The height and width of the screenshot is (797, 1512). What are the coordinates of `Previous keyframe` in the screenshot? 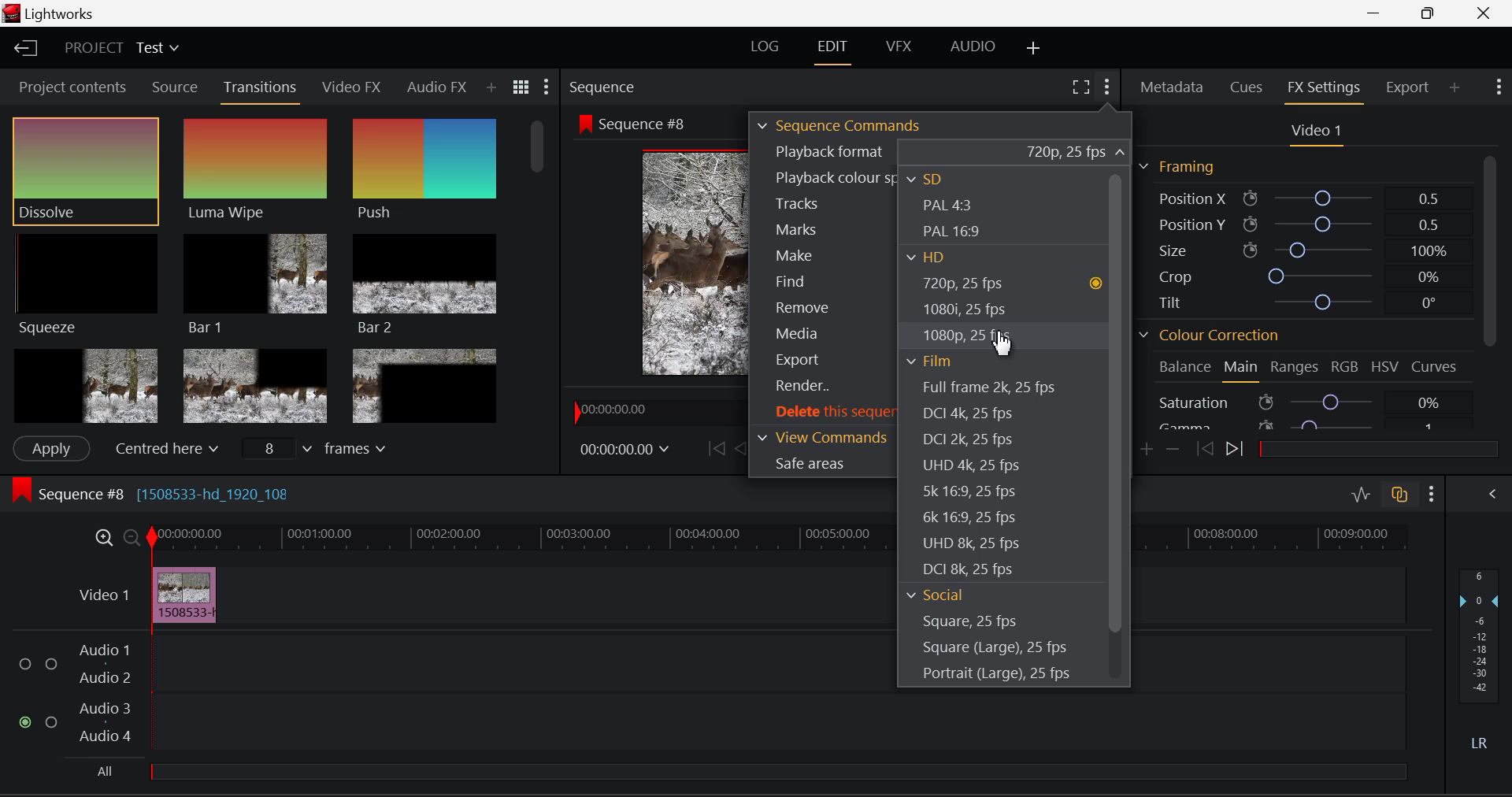 It's located at (1206, 448).